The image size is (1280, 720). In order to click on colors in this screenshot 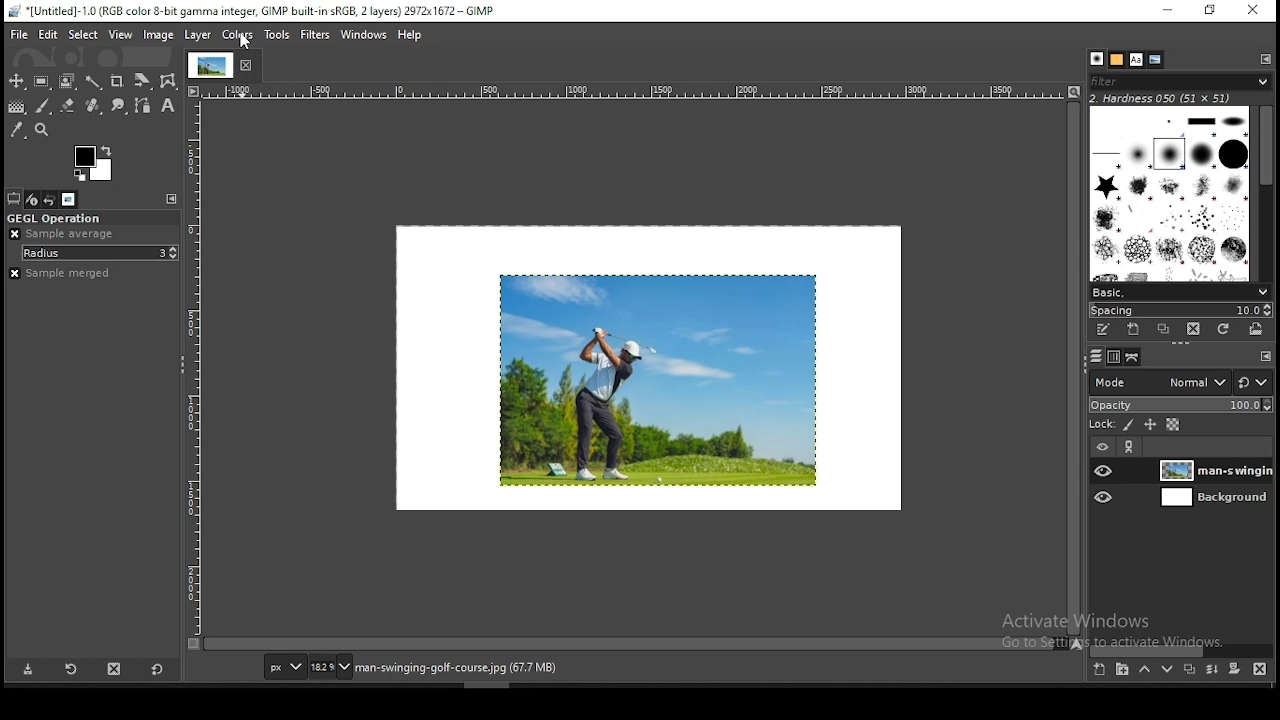, I will do `click(95, 161)`.